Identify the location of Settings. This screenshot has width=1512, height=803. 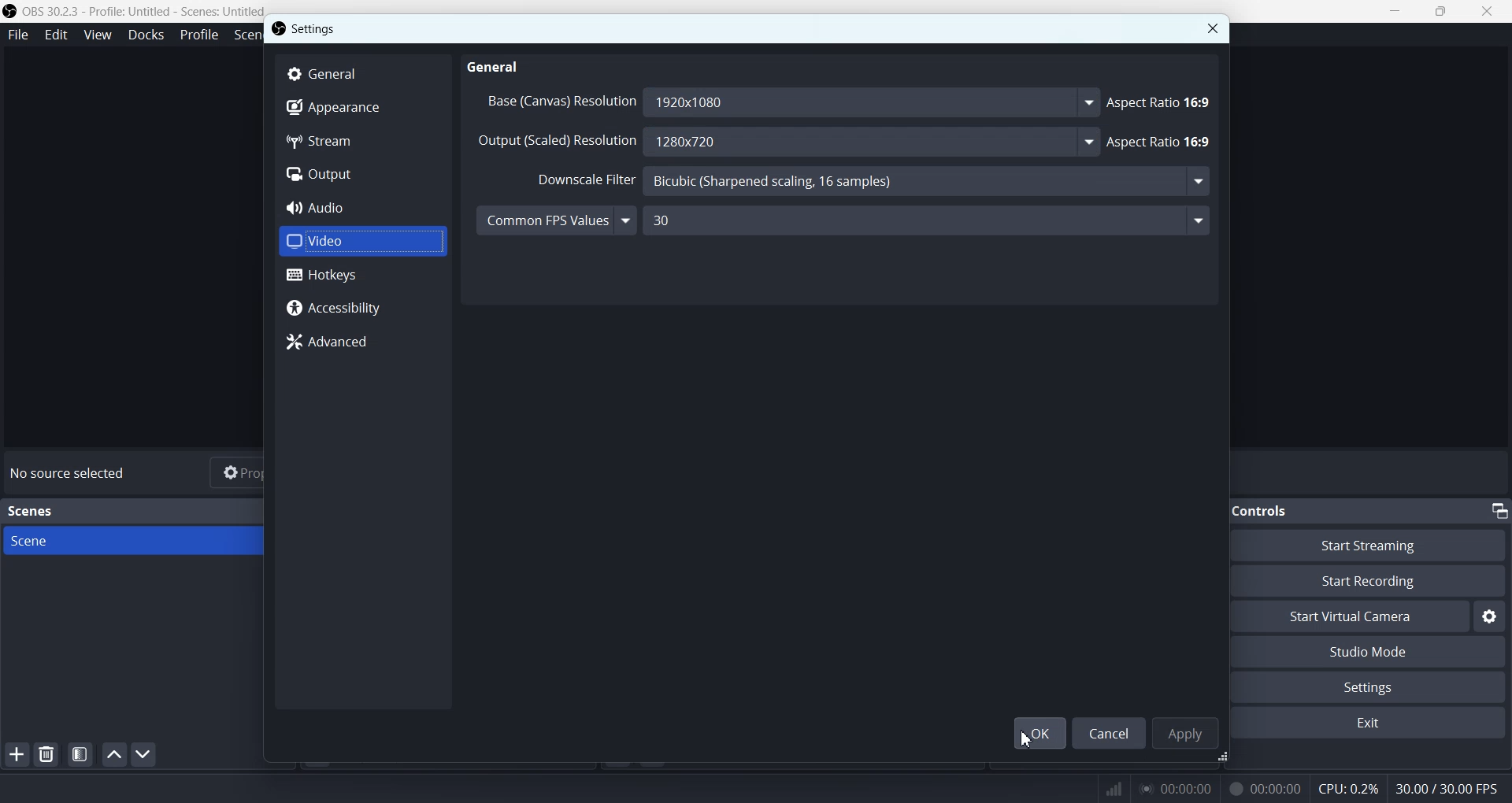
(1490, 616).